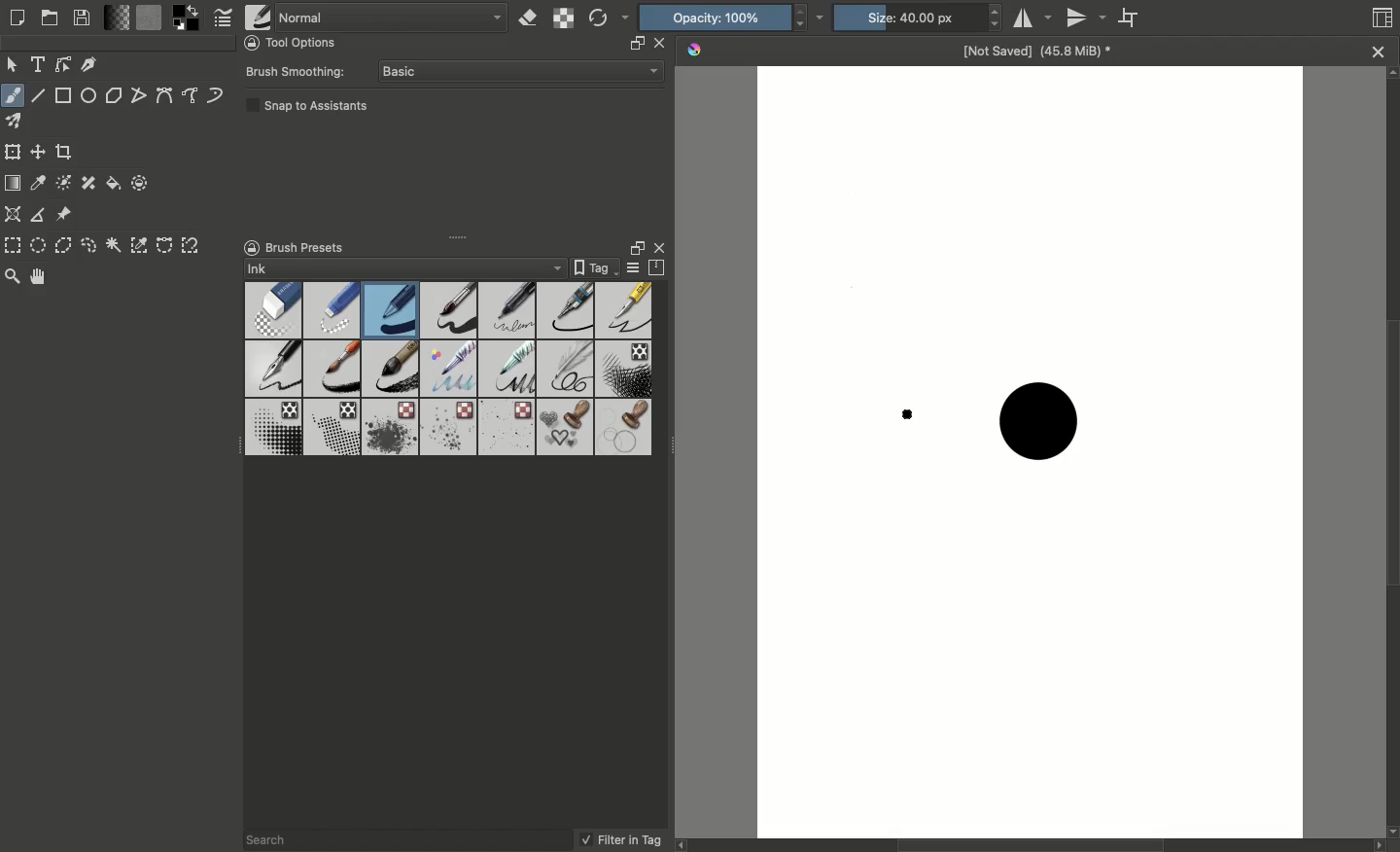  Describe the element at coordinates (620, 840) in the screenshot. I see `Filter in tag` at that location.